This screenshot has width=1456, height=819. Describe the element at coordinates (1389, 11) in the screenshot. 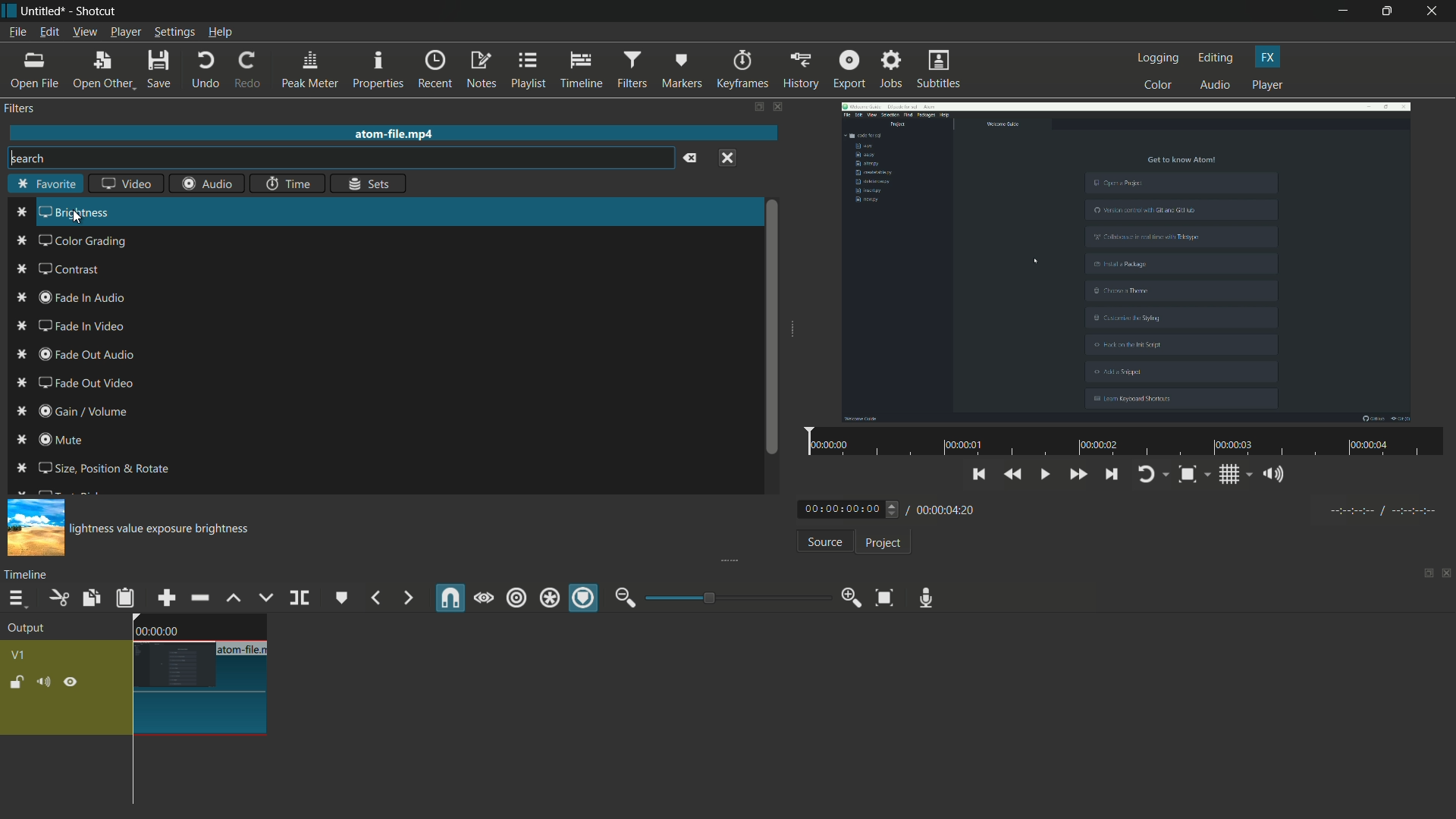

I see `maximize` at that location.